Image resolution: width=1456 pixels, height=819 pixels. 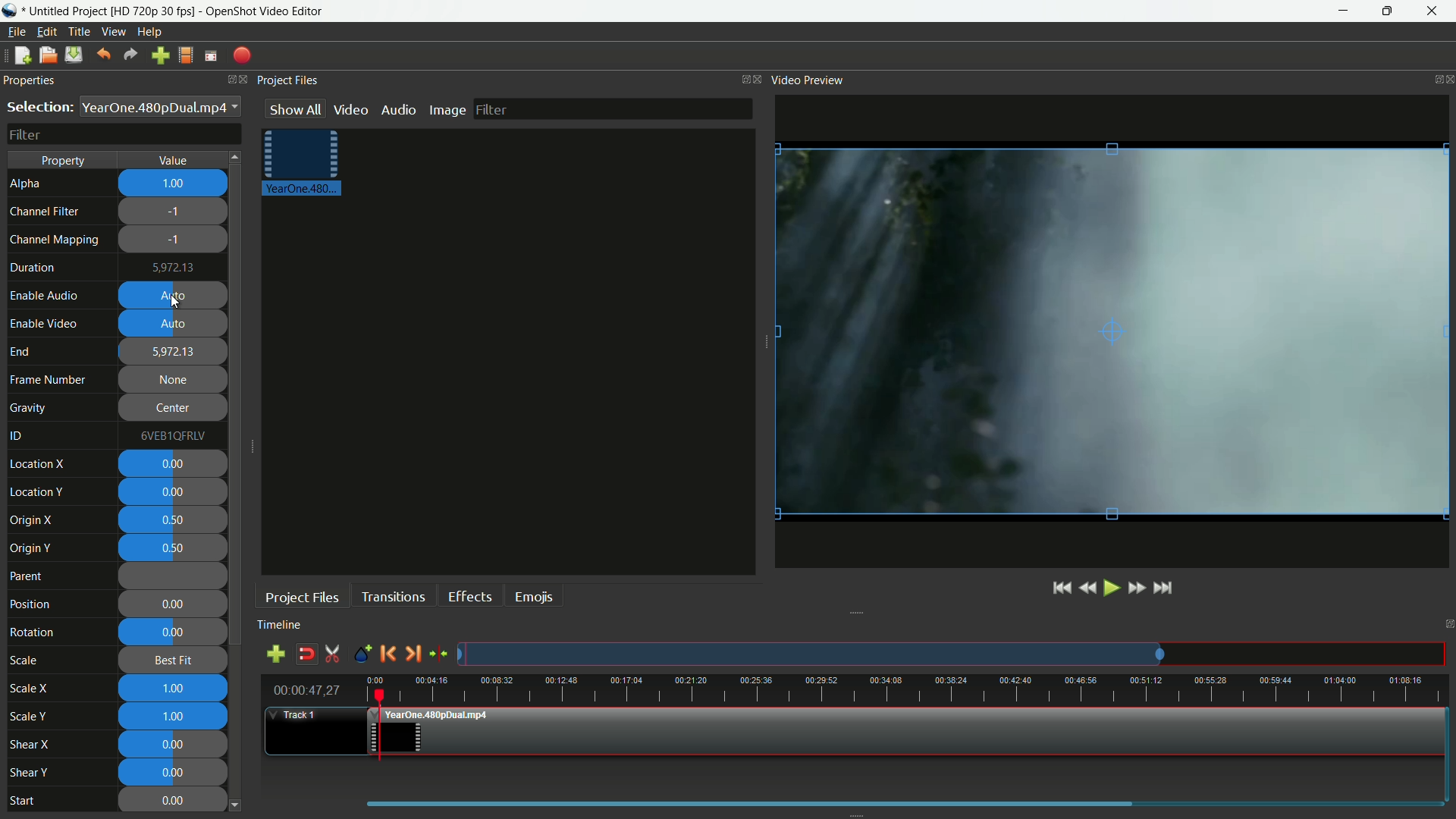 What do you see at coordinates (74, 55) in the screenshot?
I see `save file` at bounding box center [74, 55].